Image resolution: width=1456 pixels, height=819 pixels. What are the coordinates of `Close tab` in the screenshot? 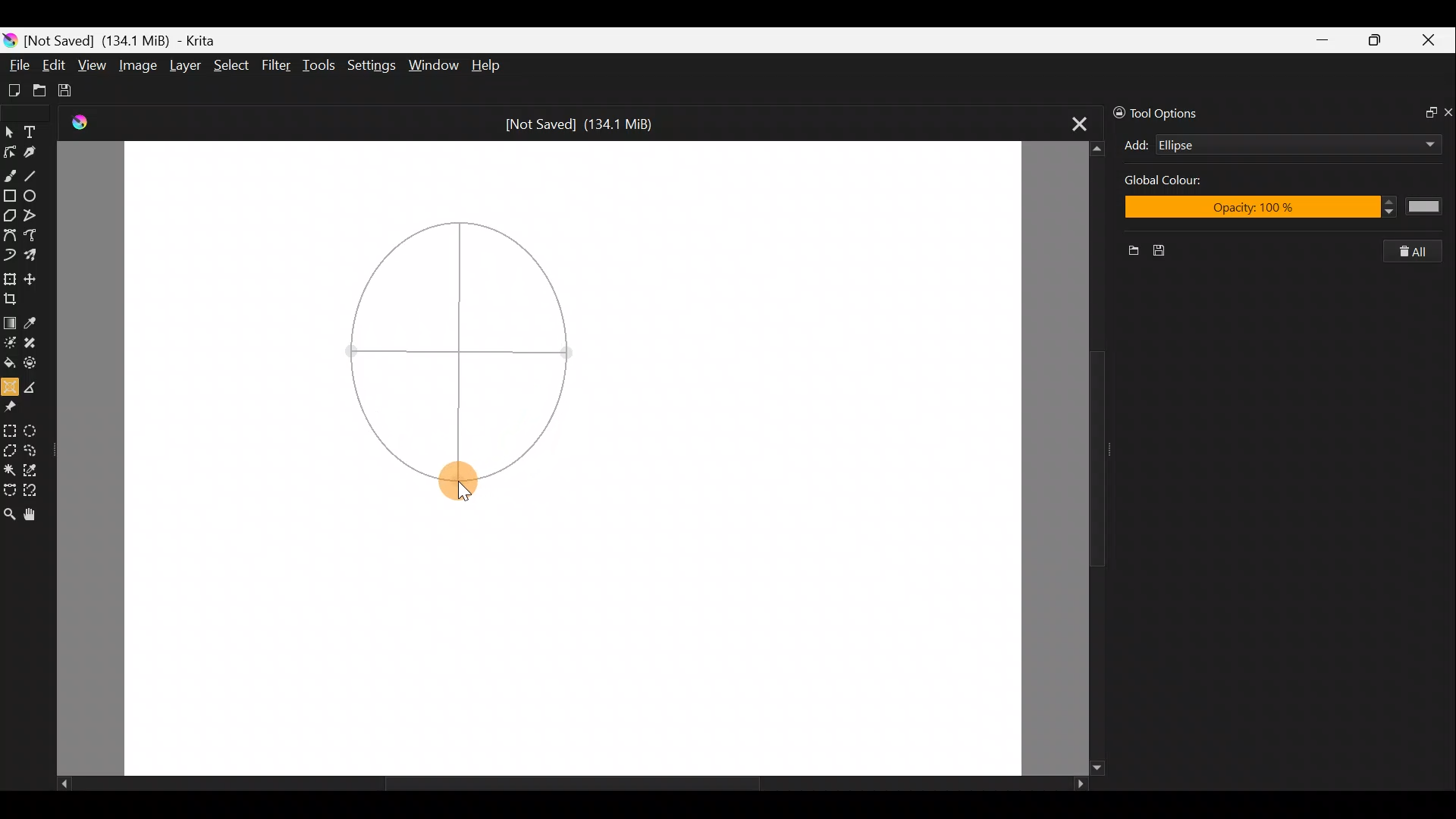 It's located at (1071, 124).